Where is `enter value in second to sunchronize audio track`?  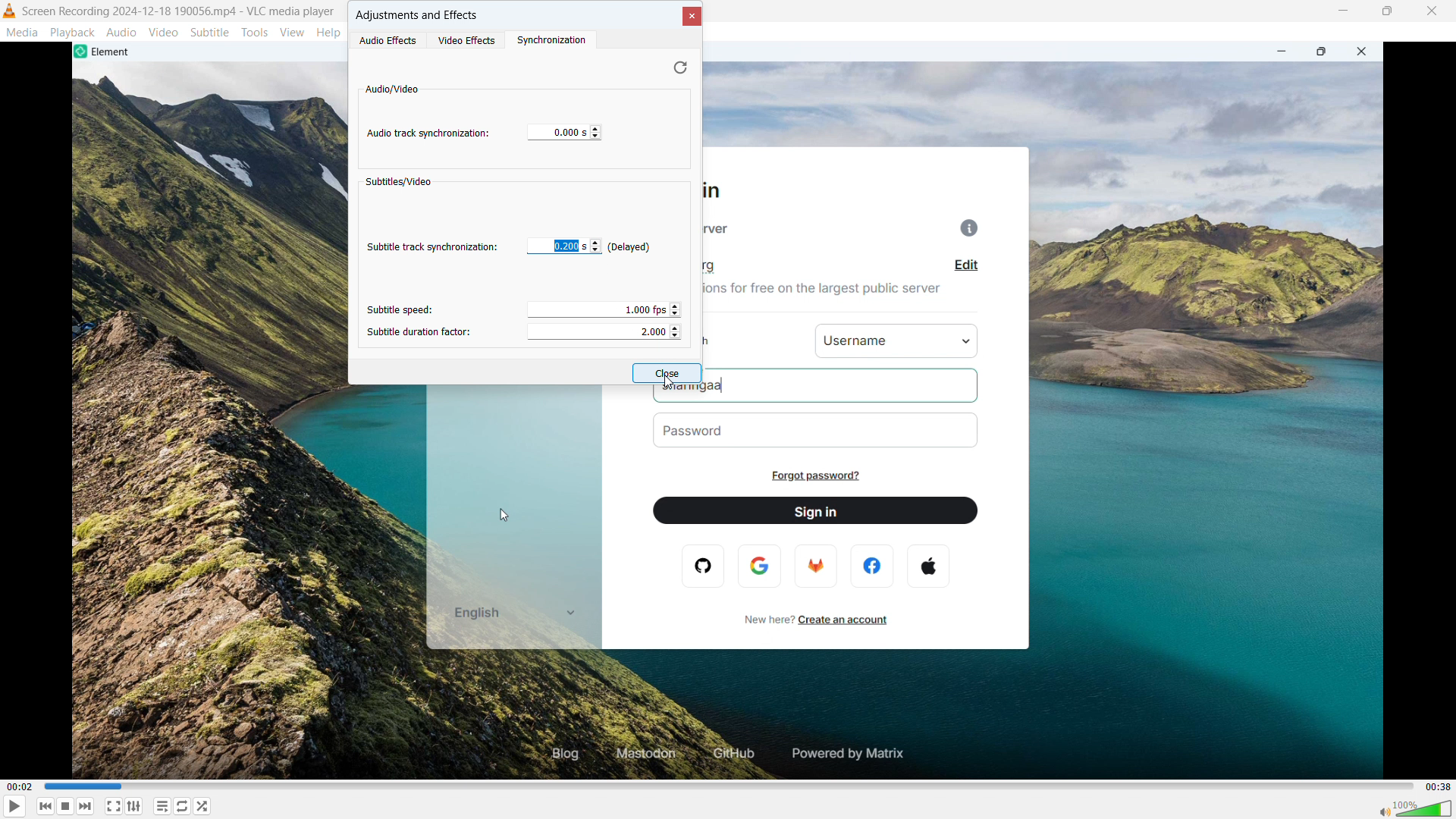 enter value in second to sunchronize audio track is located at coordinates (558, 132).